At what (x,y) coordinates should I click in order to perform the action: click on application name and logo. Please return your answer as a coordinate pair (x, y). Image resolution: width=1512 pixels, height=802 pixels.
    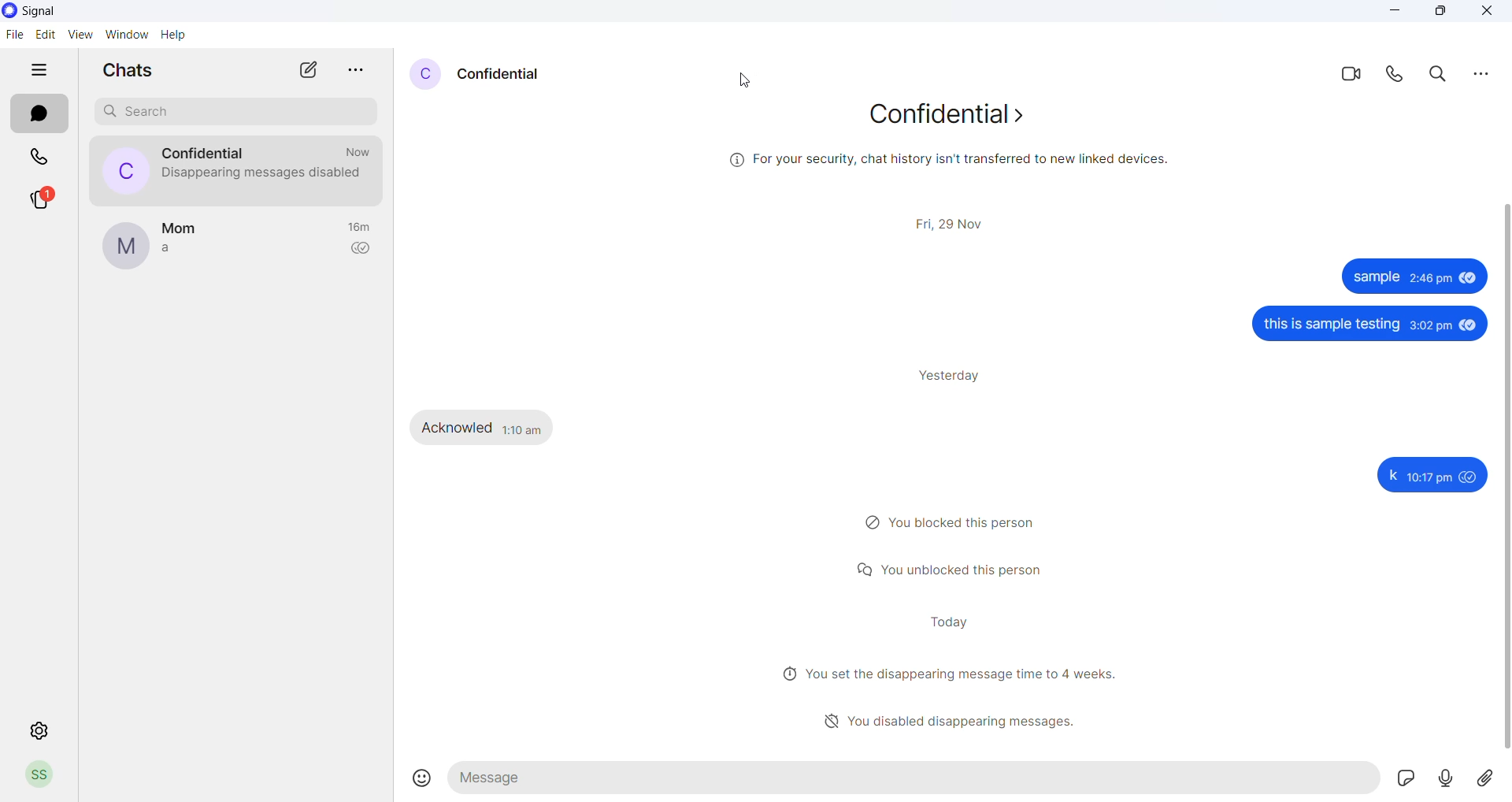
    Looking at the image, I should click on (40, 13).